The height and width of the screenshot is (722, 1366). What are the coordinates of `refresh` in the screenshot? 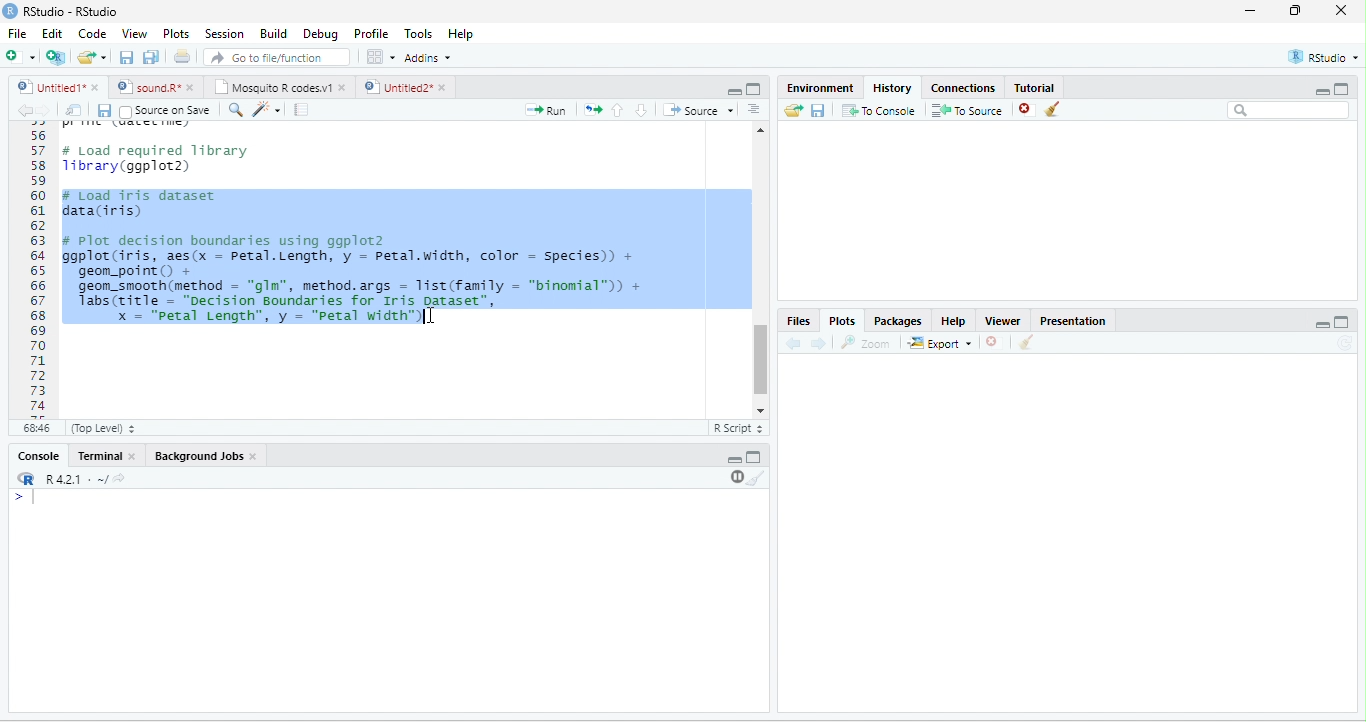 It's located at (1344, 343).